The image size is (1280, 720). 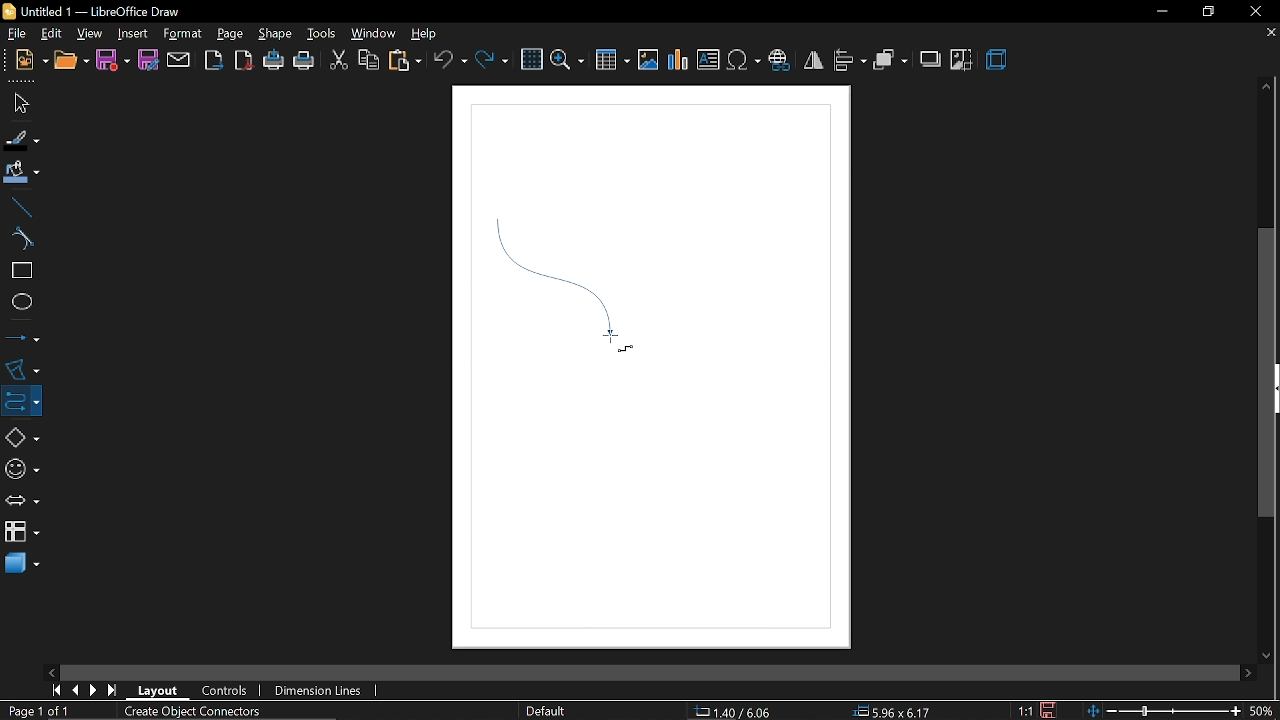 I want to click on help, so click(x=424, y=33).